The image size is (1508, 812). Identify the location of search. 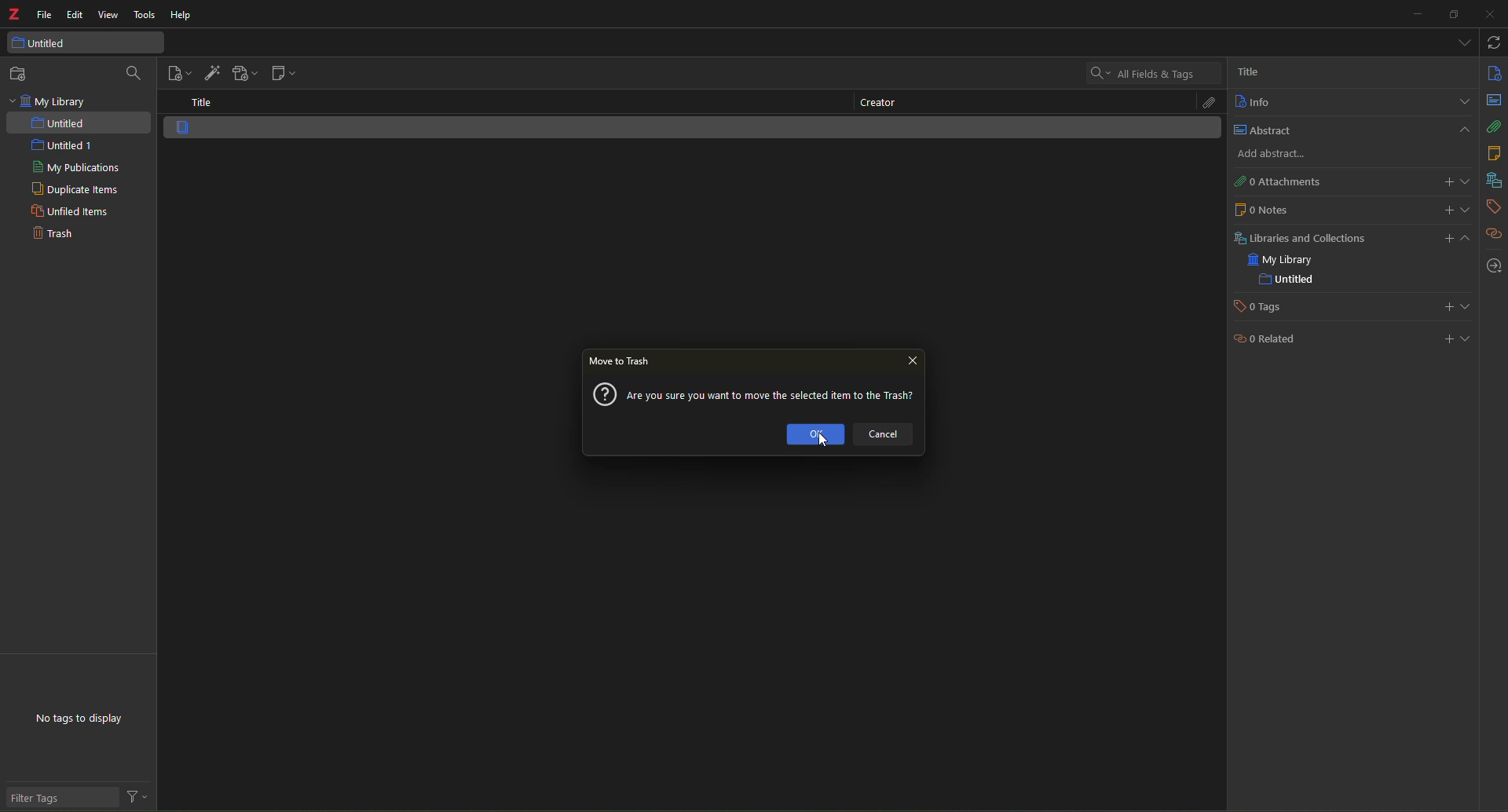
(1140, 72).